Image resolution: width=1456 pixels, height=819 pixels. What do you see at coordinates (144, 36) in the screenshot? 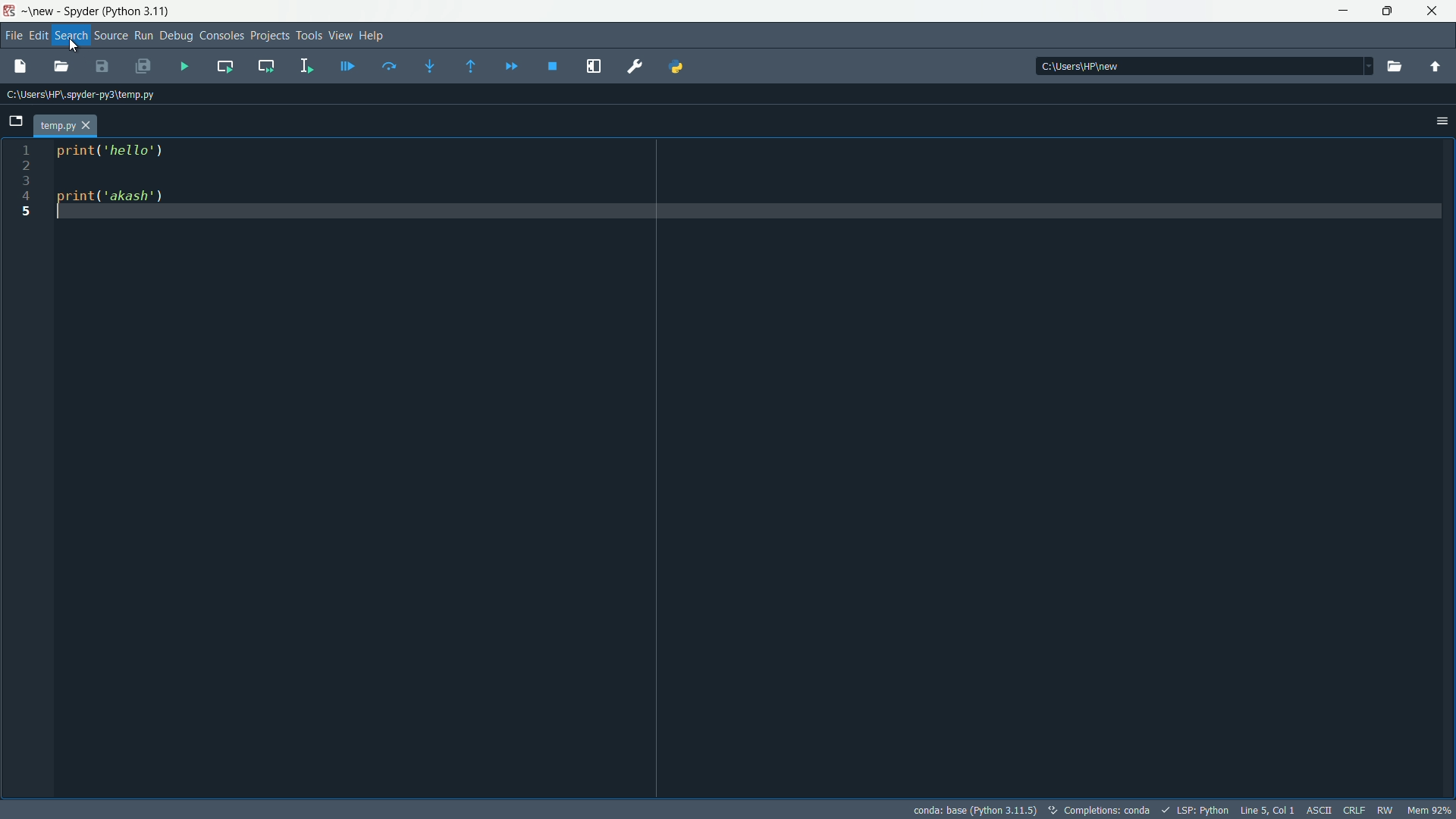
I see `Run Button` at bounding box center [144, 36].